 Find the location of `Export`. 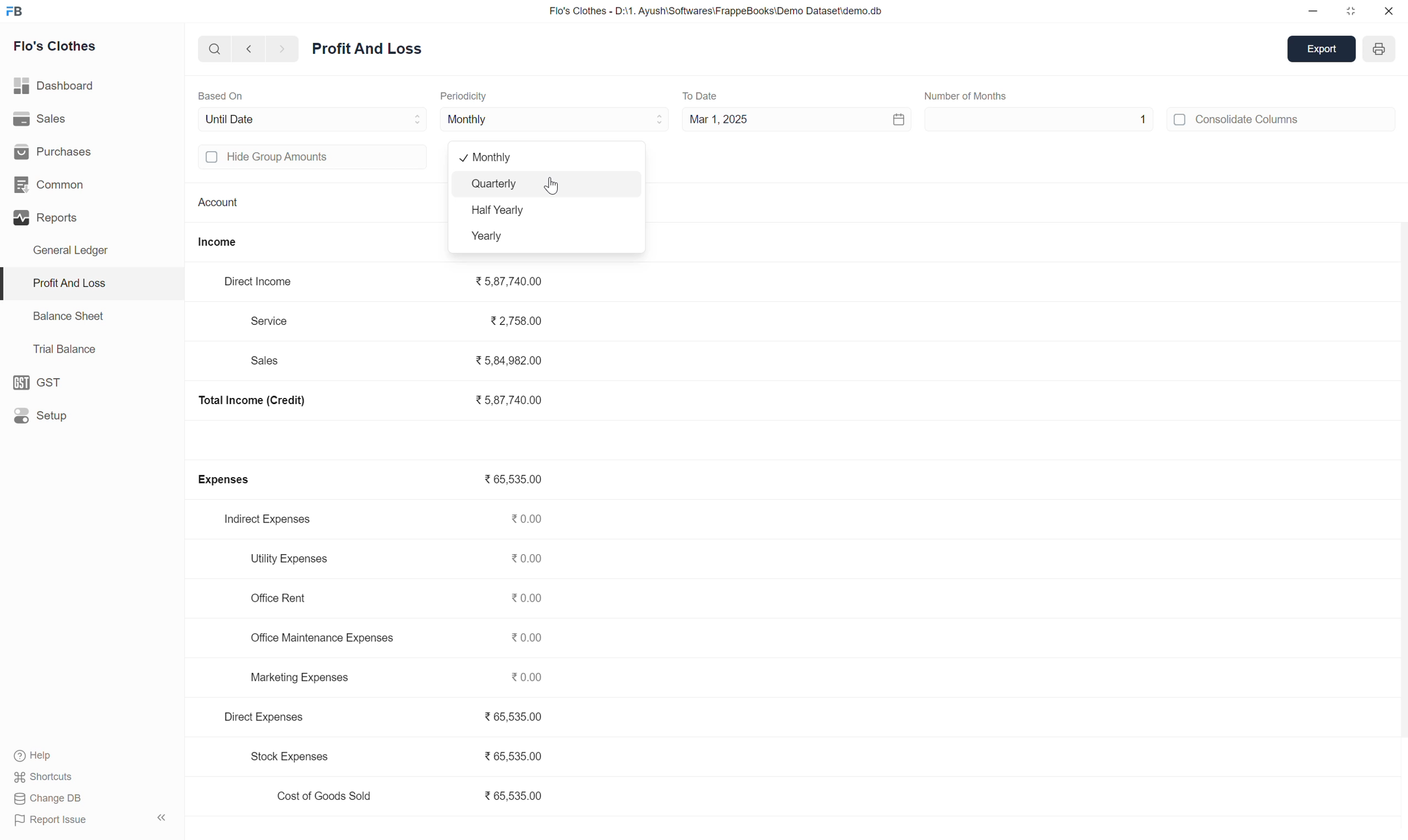

Export is located at coordinates (1320, 49).